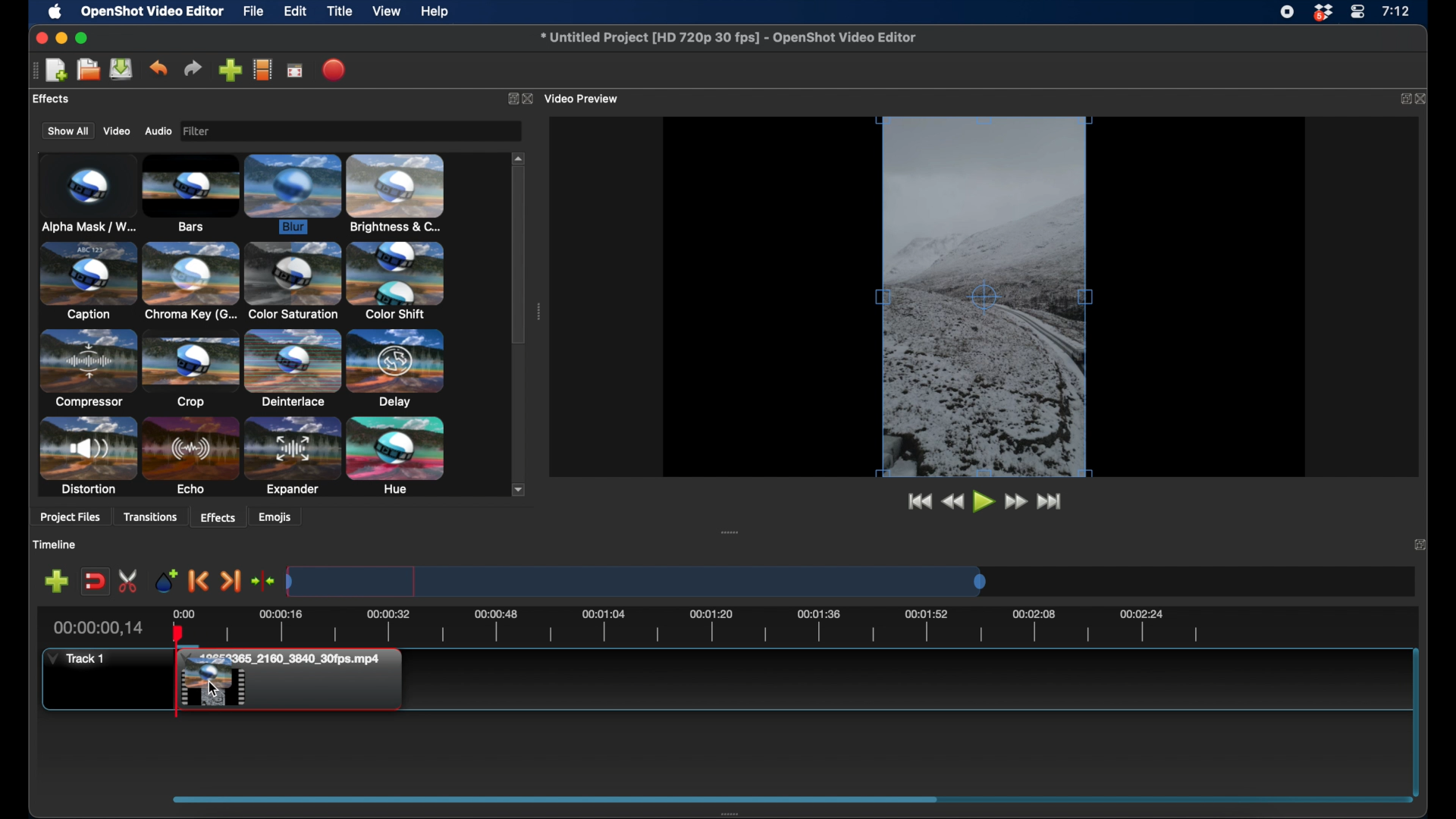 The height and width of the screenshot is (819, 1456). I want to click on emojis, so click(276, 516).